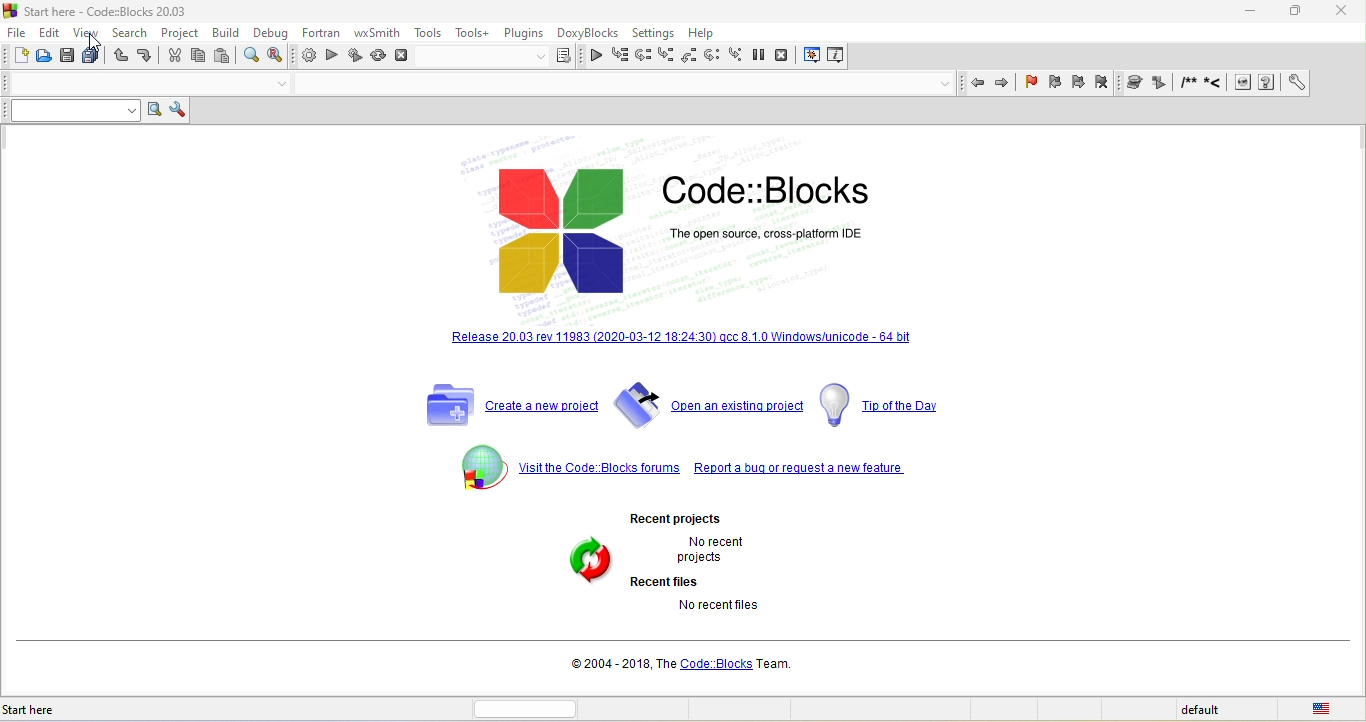  I want to click on step out, so click(689, 57).